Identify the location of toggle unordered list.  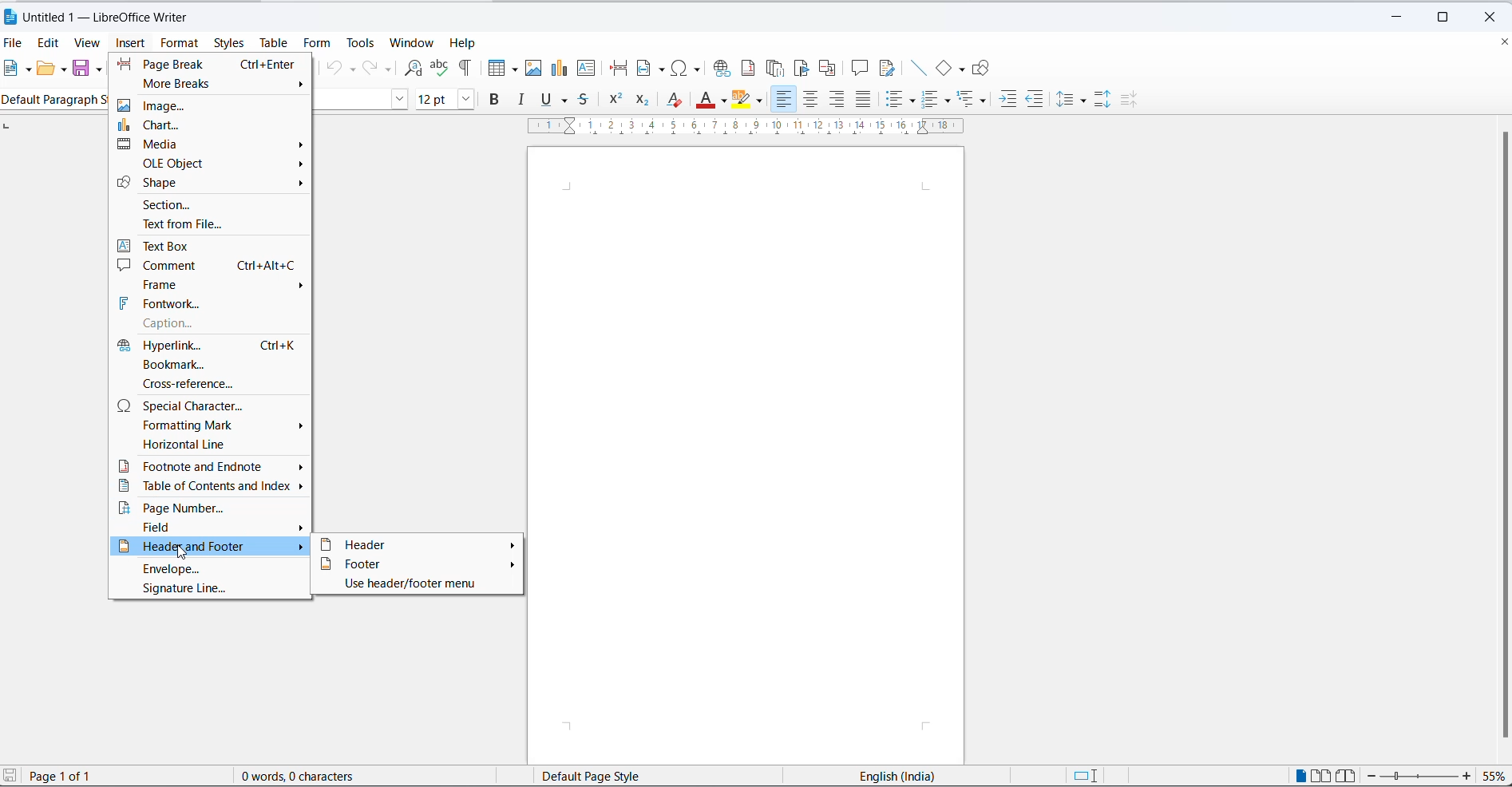
(897, 100).